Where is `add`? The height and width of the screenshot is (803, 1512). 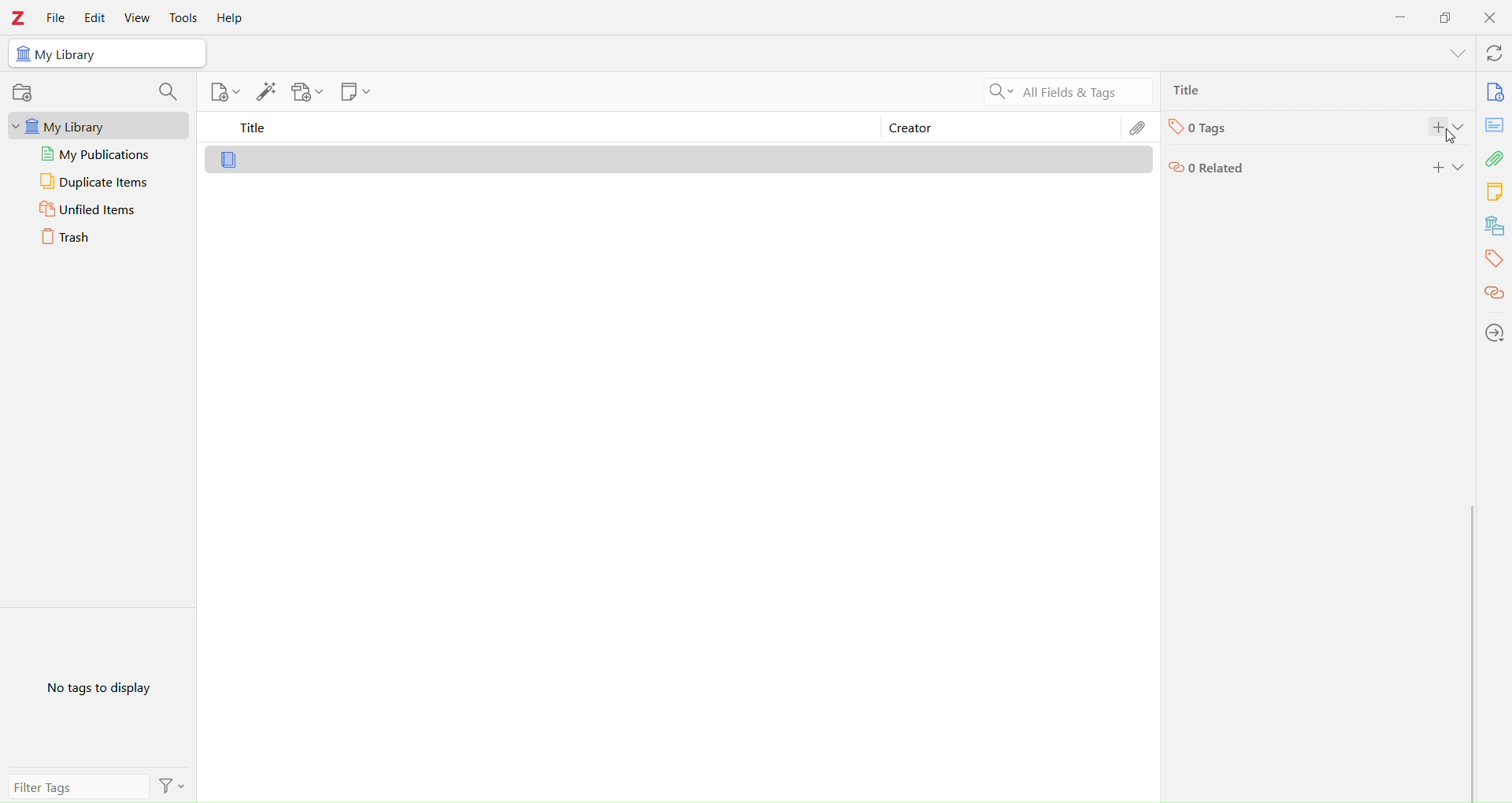 add is located at coordinates (1436, 169).